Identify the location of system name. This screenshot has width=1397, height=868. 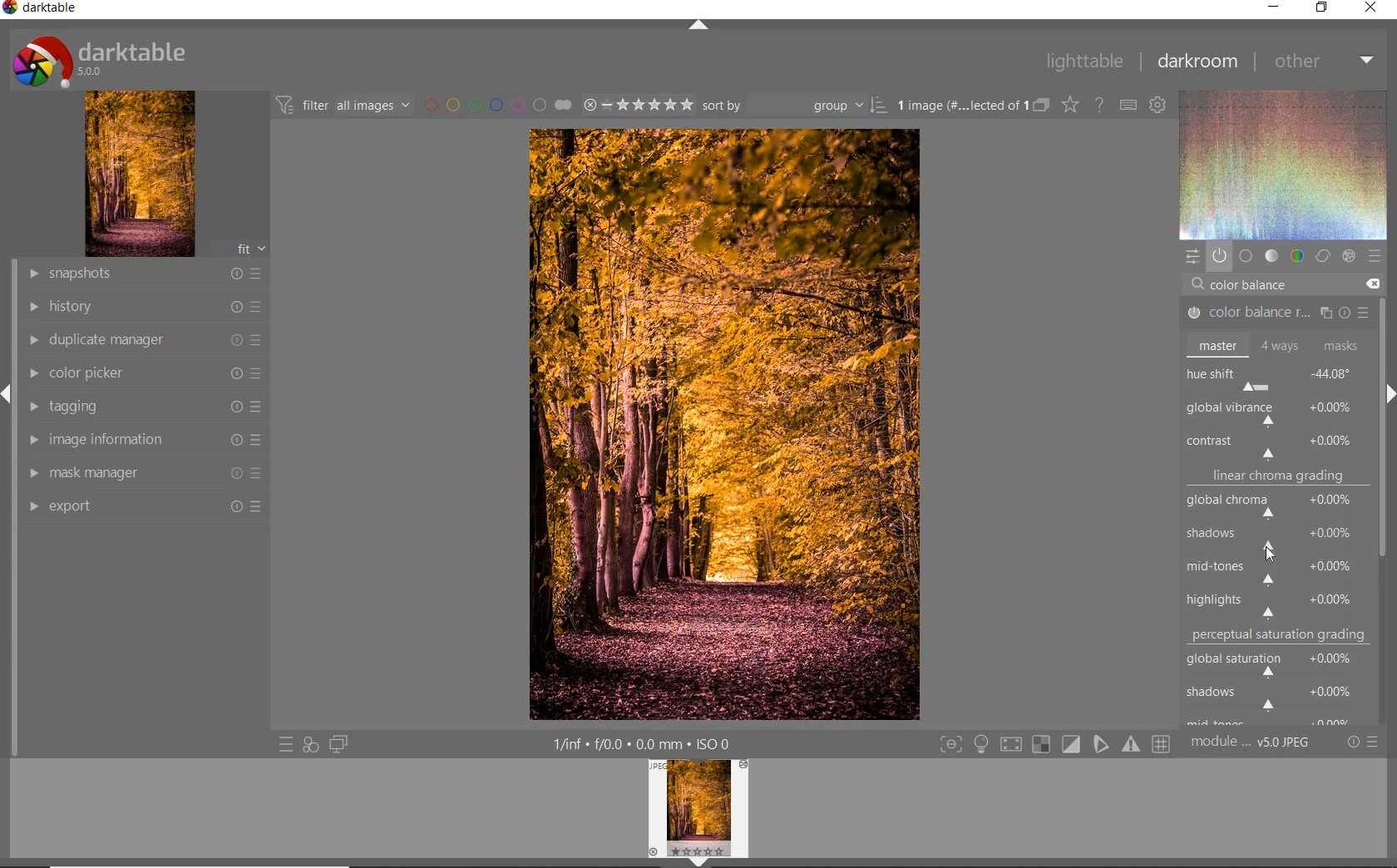
(40, 8).